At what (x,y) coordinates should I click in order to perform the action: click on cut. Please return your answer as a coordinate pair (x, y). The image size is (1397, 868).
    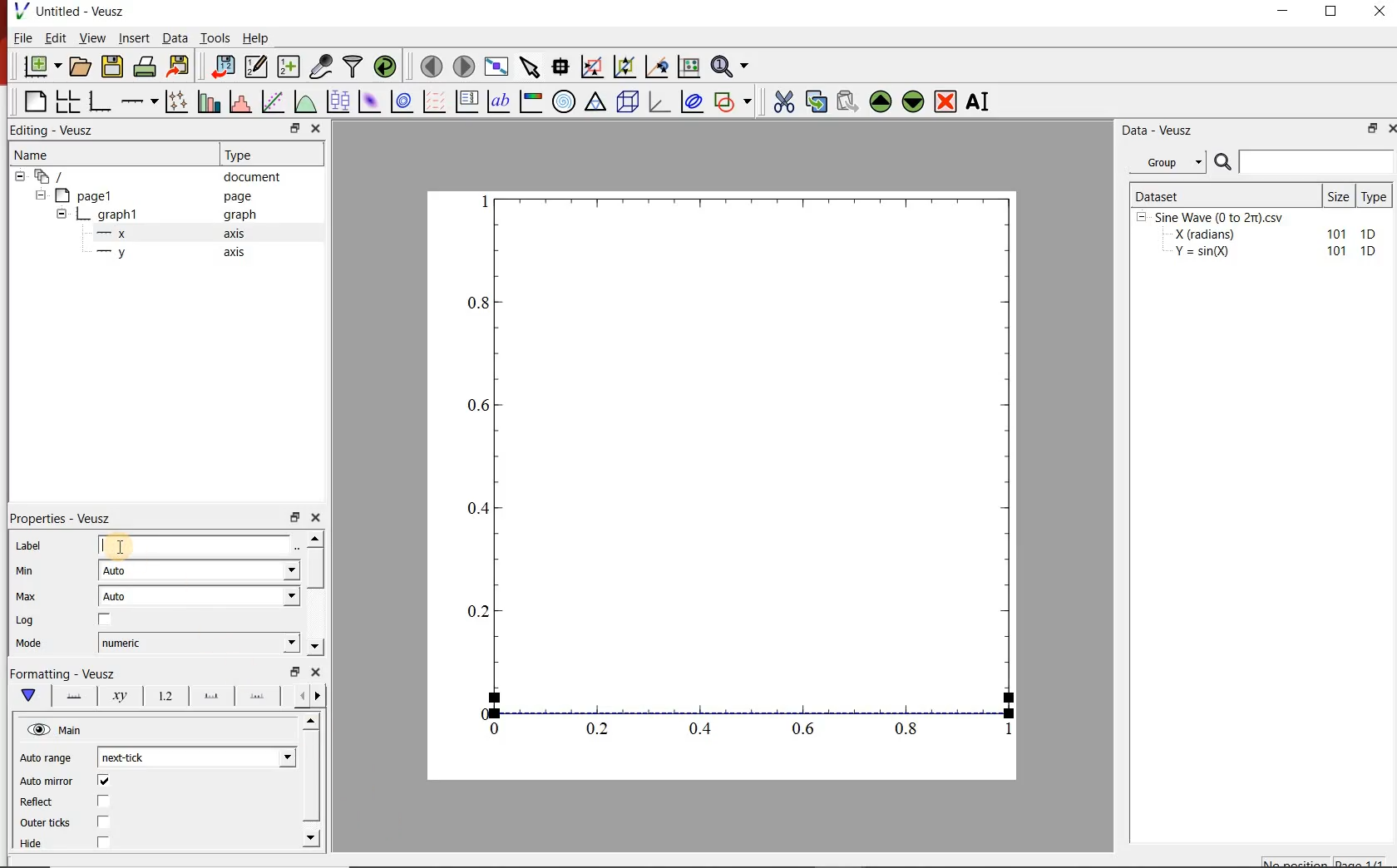
    Looking at the image, I should click on (784, 100).